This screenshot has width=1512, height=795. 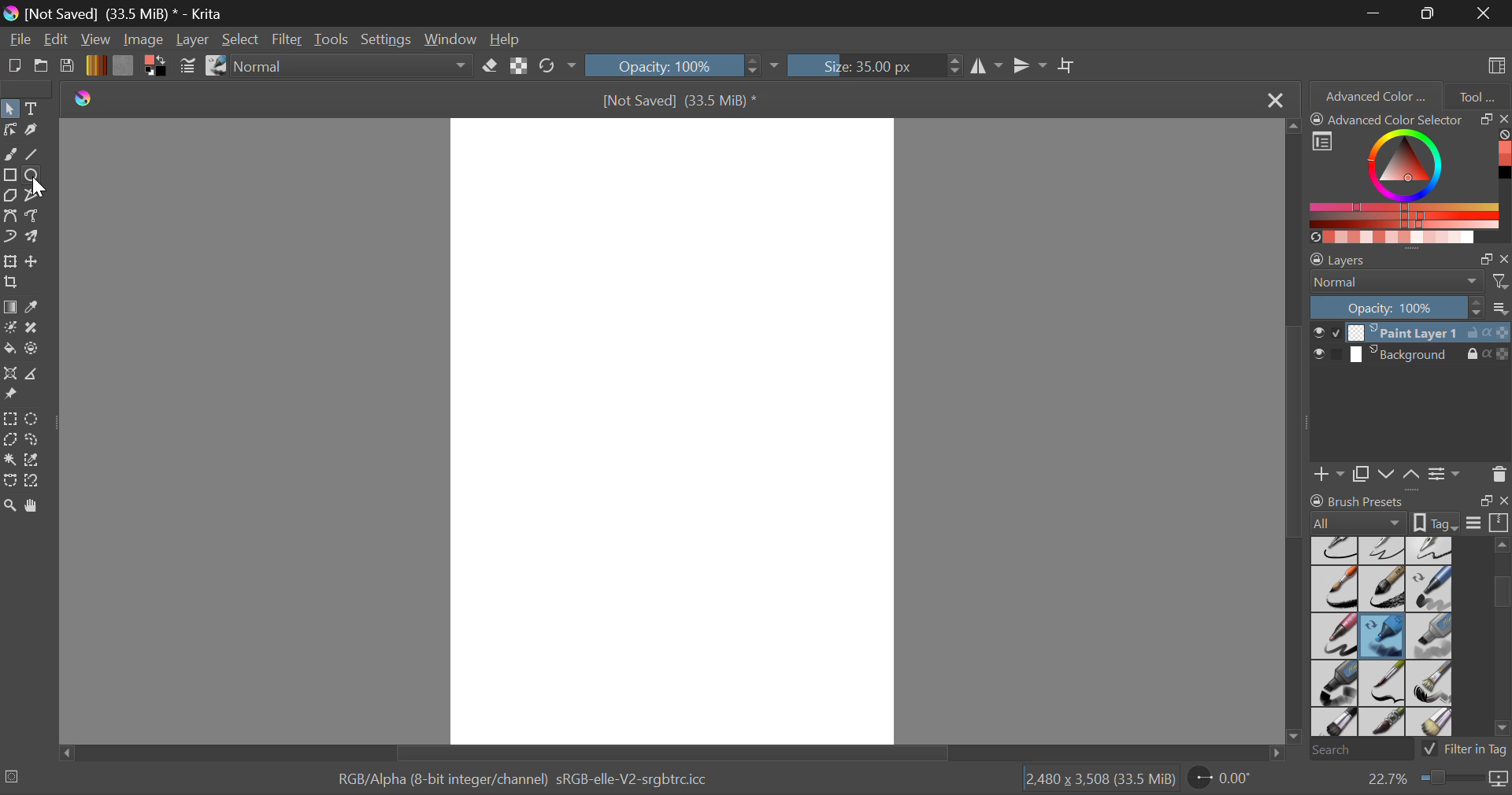 What do you see at coordinates (1332, 590) in the screenshot?
I see `Ink-7 Brush Rough` at bounding box center [1332, 590].